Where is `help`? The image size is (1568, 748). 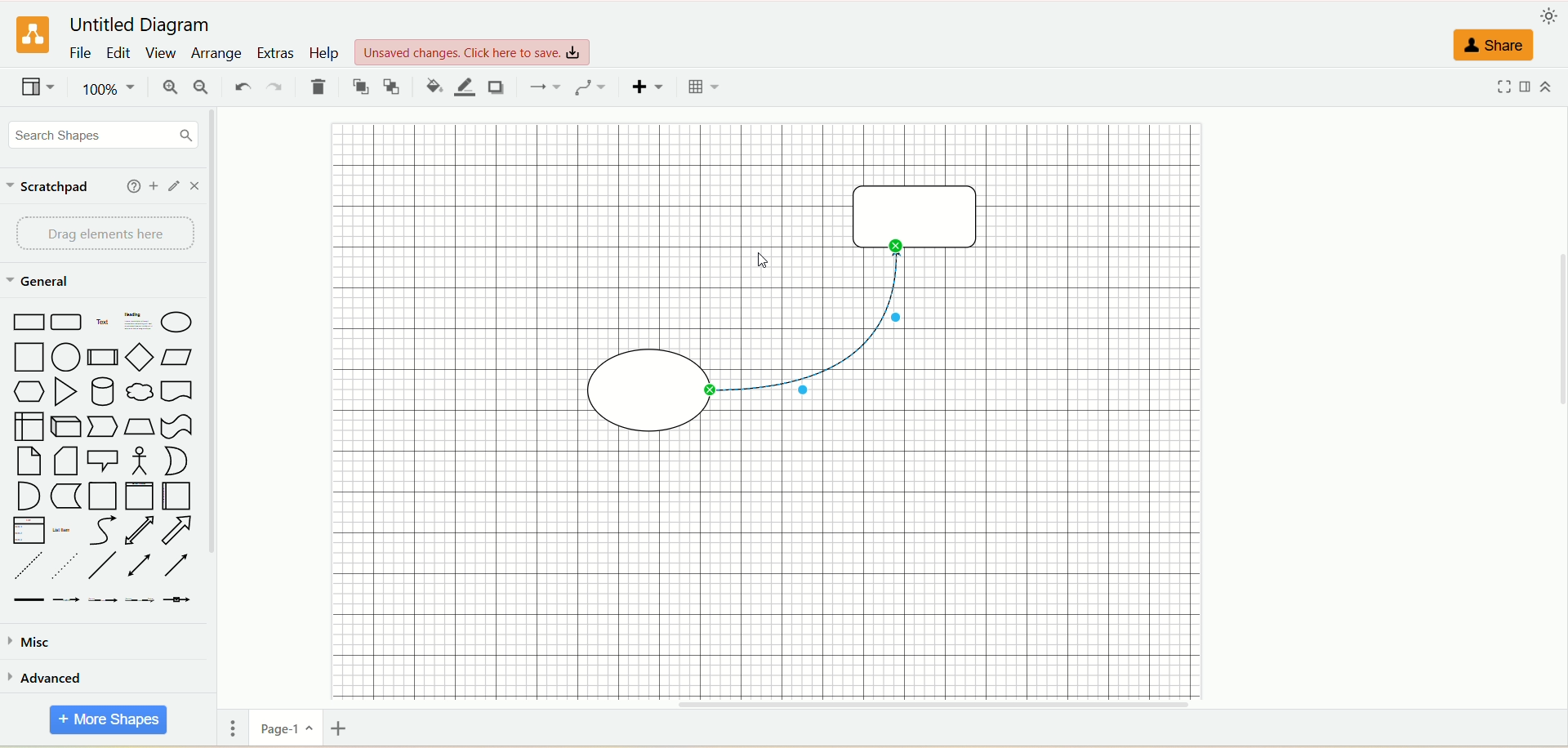
help is located at coordinates (131, 186).